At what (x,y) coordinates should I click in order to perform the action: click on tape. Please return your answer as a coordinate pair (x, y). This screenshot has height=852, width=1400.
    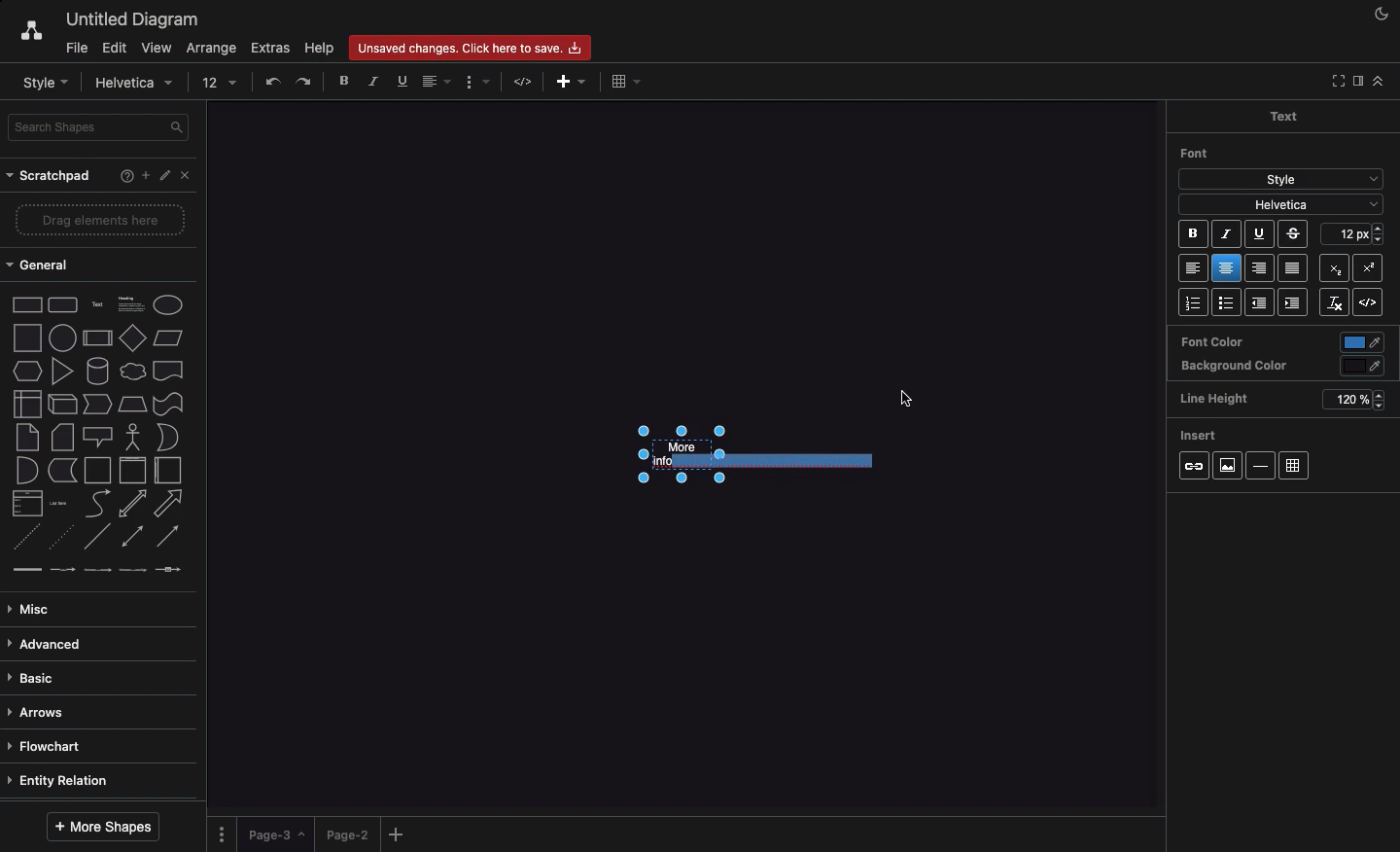
    Looking at the image, I should click on (168, 404).